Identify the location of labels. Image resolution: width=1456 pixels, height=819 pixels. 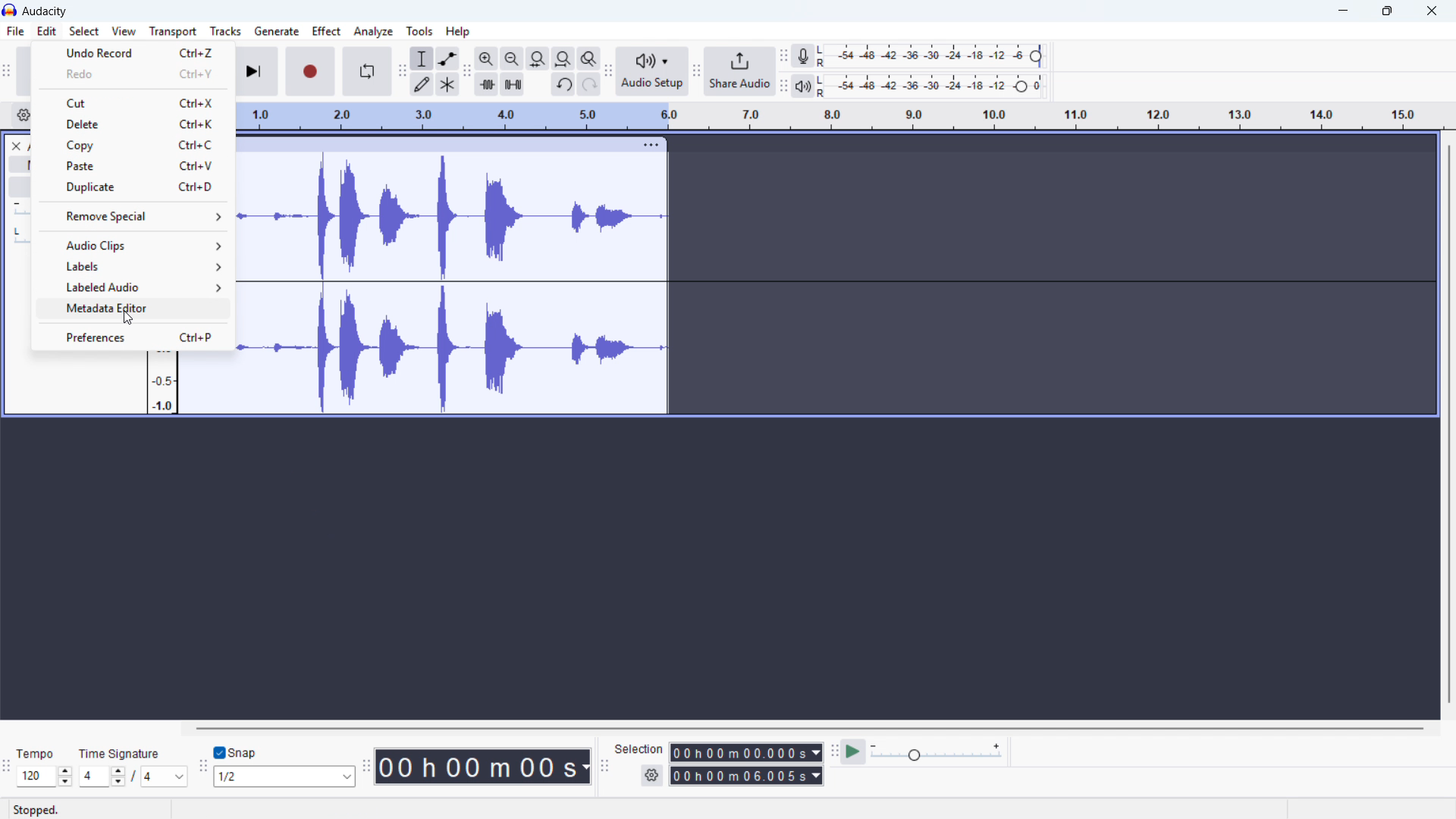
(130, 265).